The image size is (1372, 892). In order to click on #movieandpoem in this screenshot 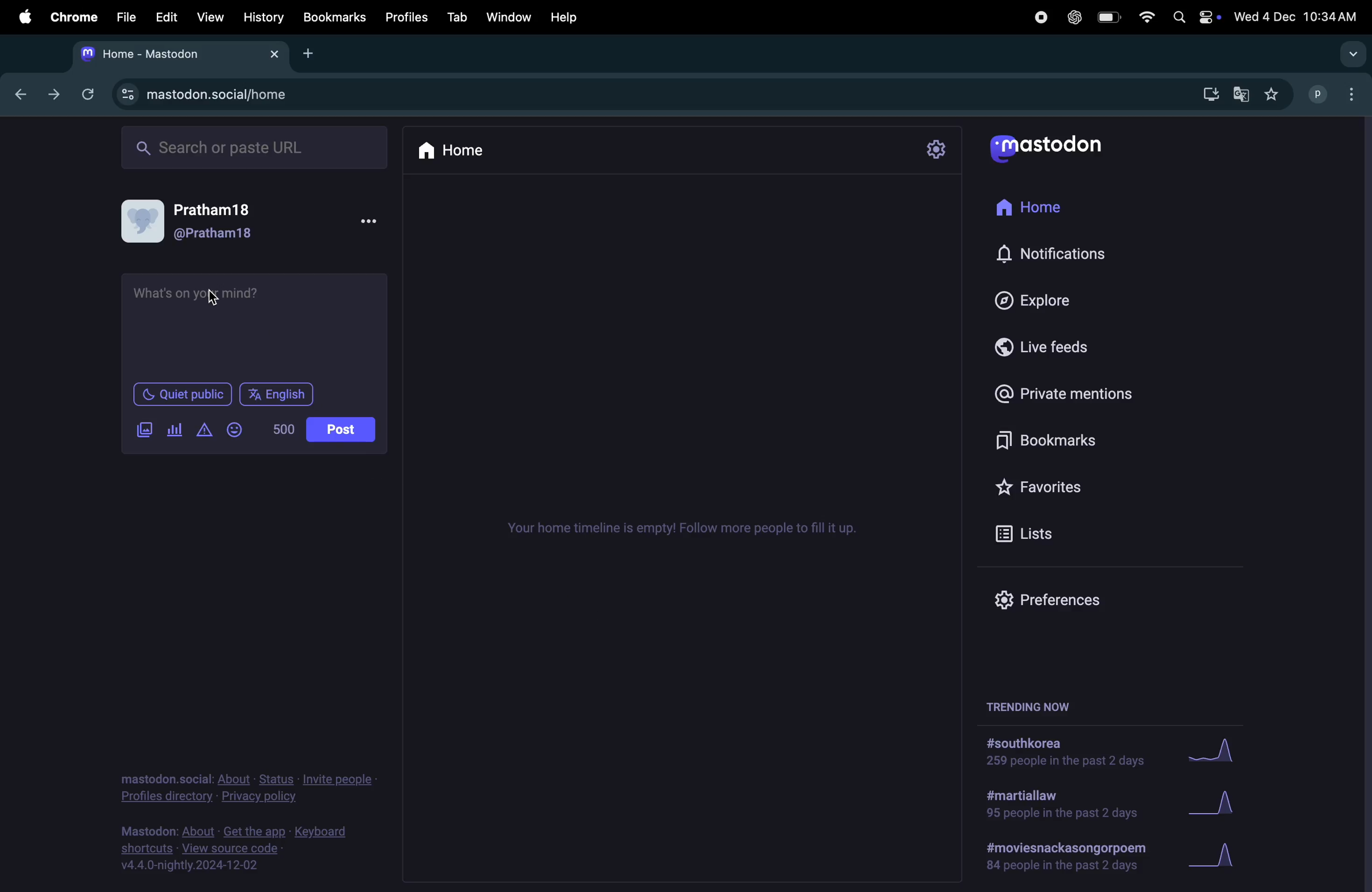, I will do `click(1060, 856)`.